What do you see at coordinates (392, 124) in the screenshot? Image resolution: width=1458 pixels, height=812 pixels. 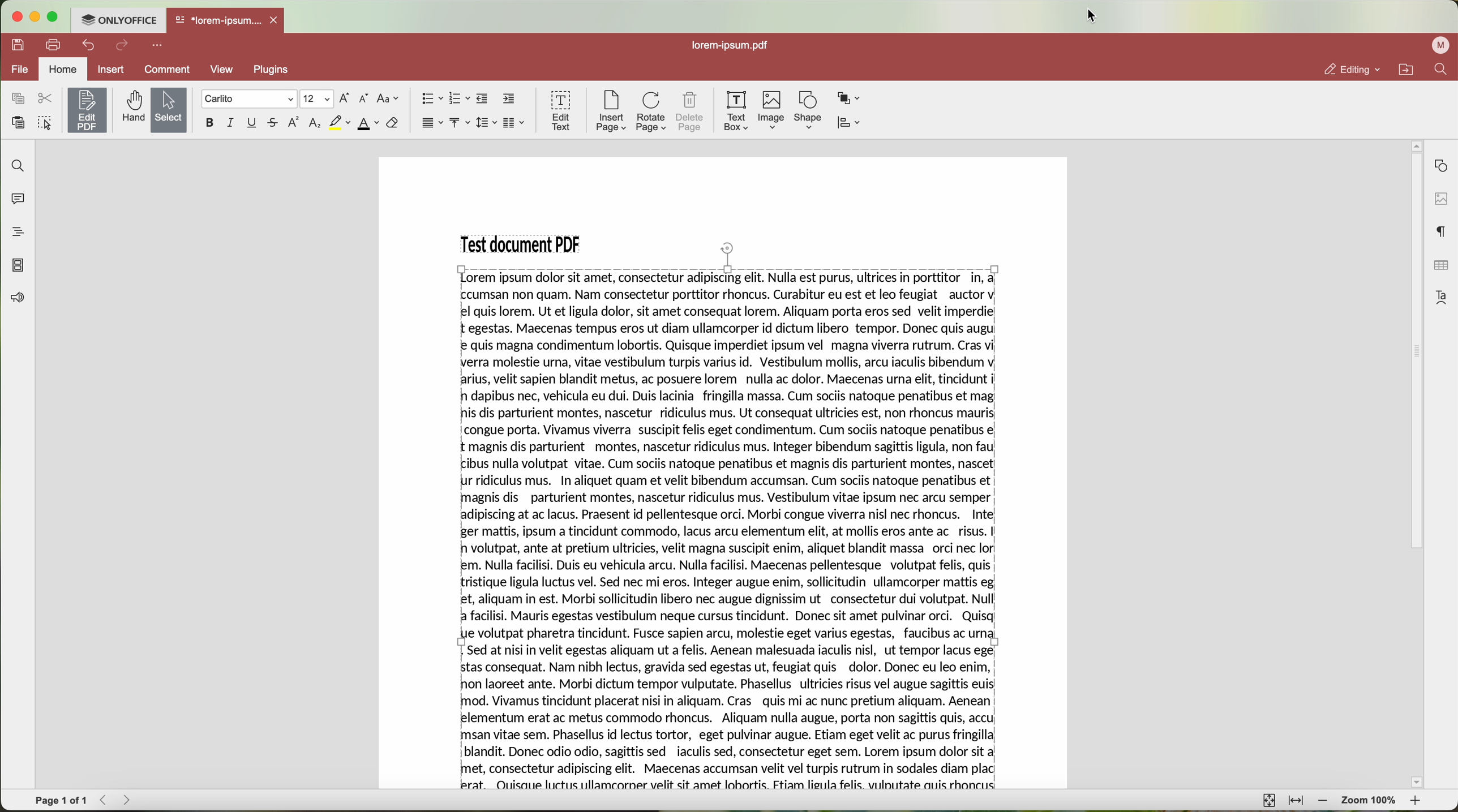 I see `clear style` at bounding box center [392, 124].